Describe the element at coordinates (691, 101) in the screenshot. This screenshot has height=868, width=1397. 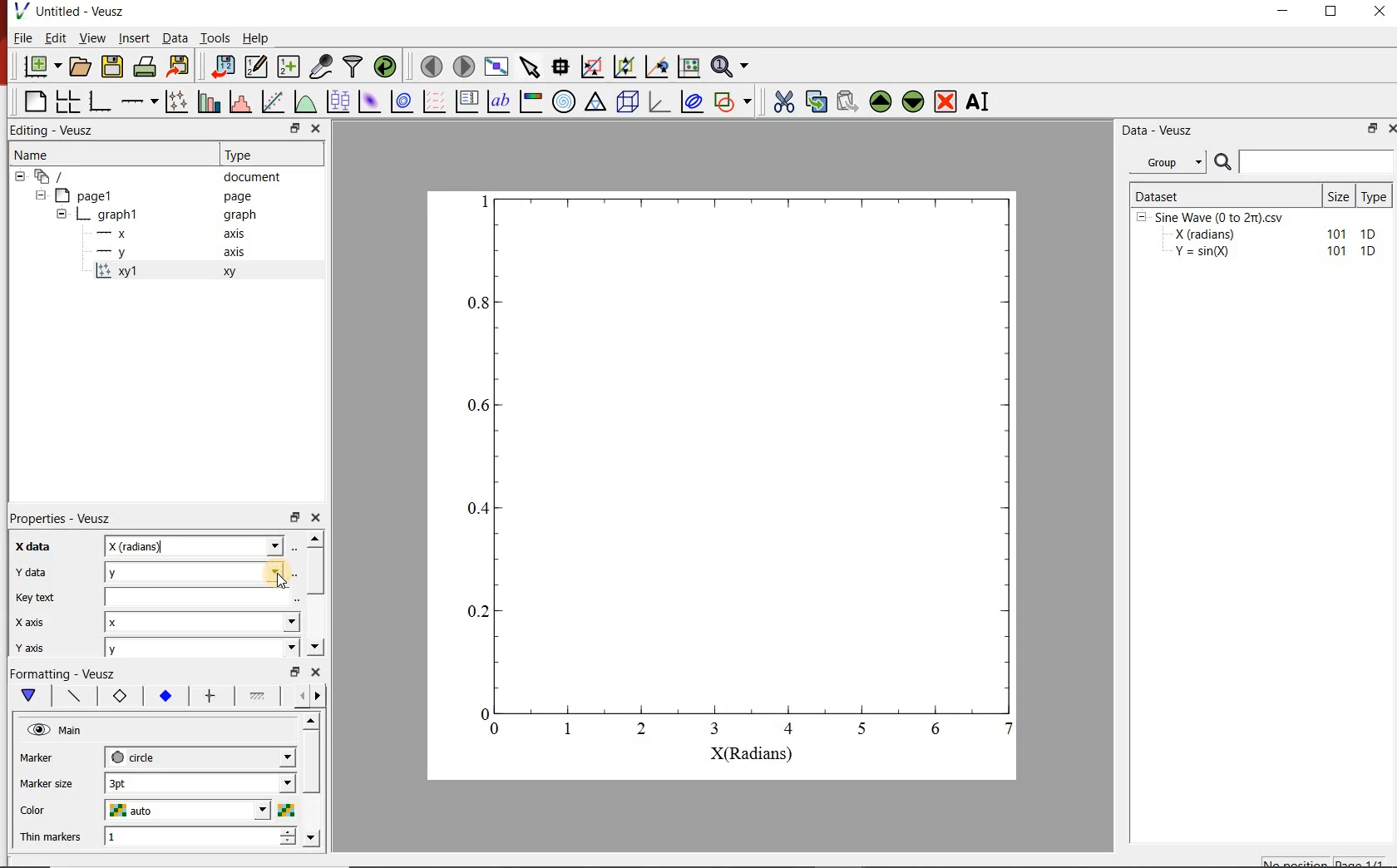
I see `plot covariance ellipses` at that location.